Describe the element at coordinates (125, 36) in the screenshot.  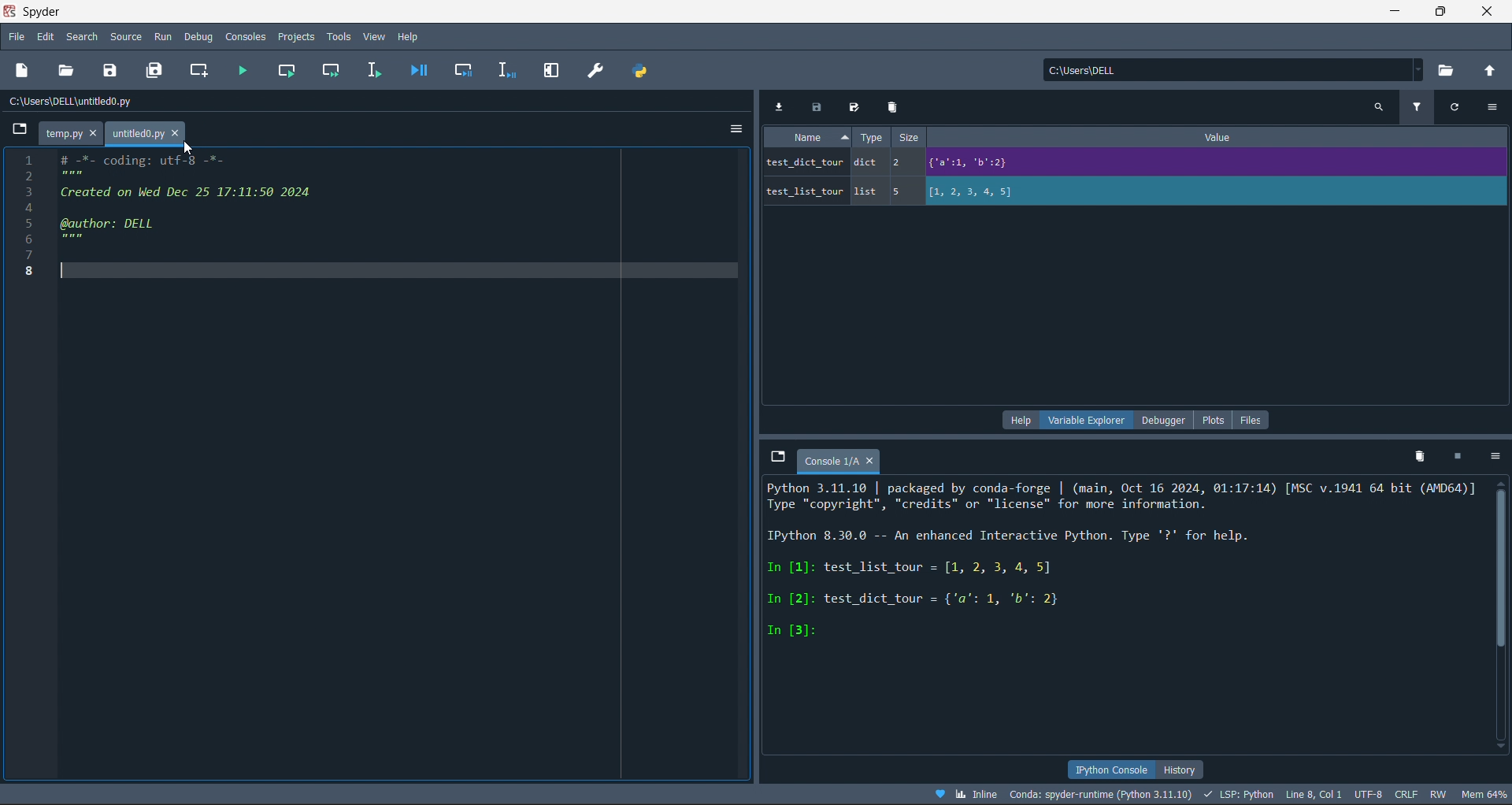
I see `source` at that location.